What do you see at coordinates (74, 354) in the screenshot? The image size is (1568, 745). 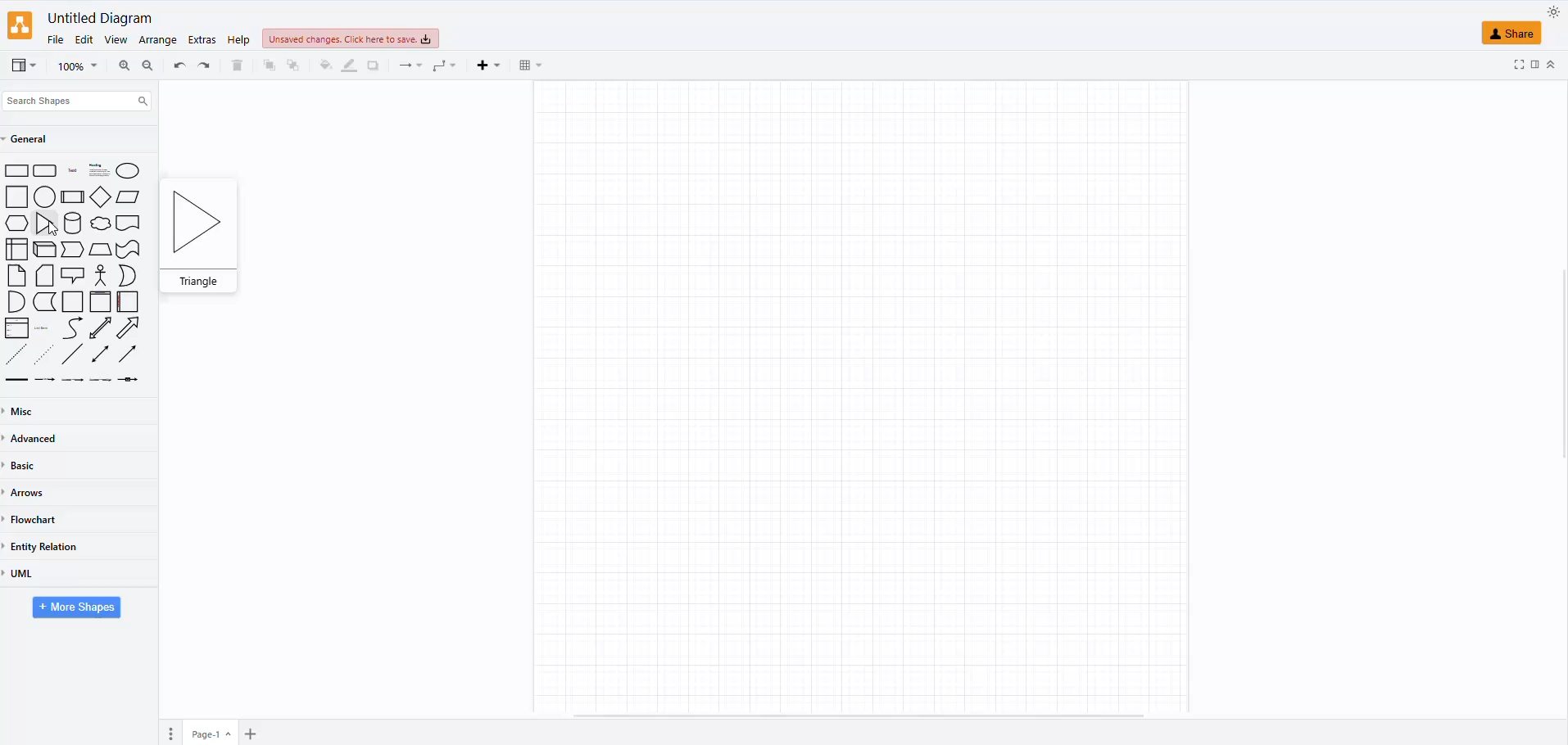 I see `Line` at bounding box center [74, 354].